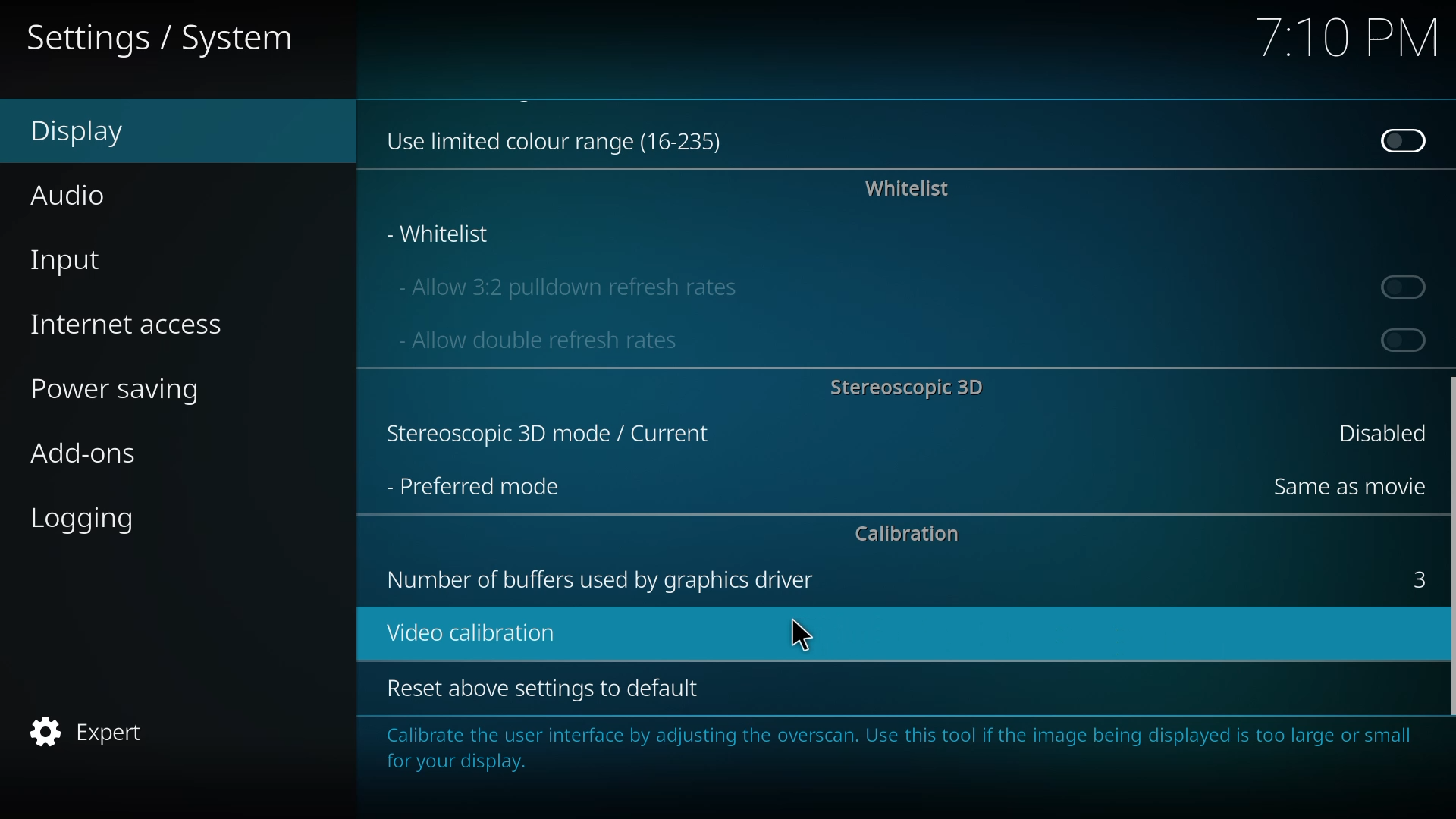  Describe the element at coordinates (84, 733) in the screenshot. I see `expert` at that location.